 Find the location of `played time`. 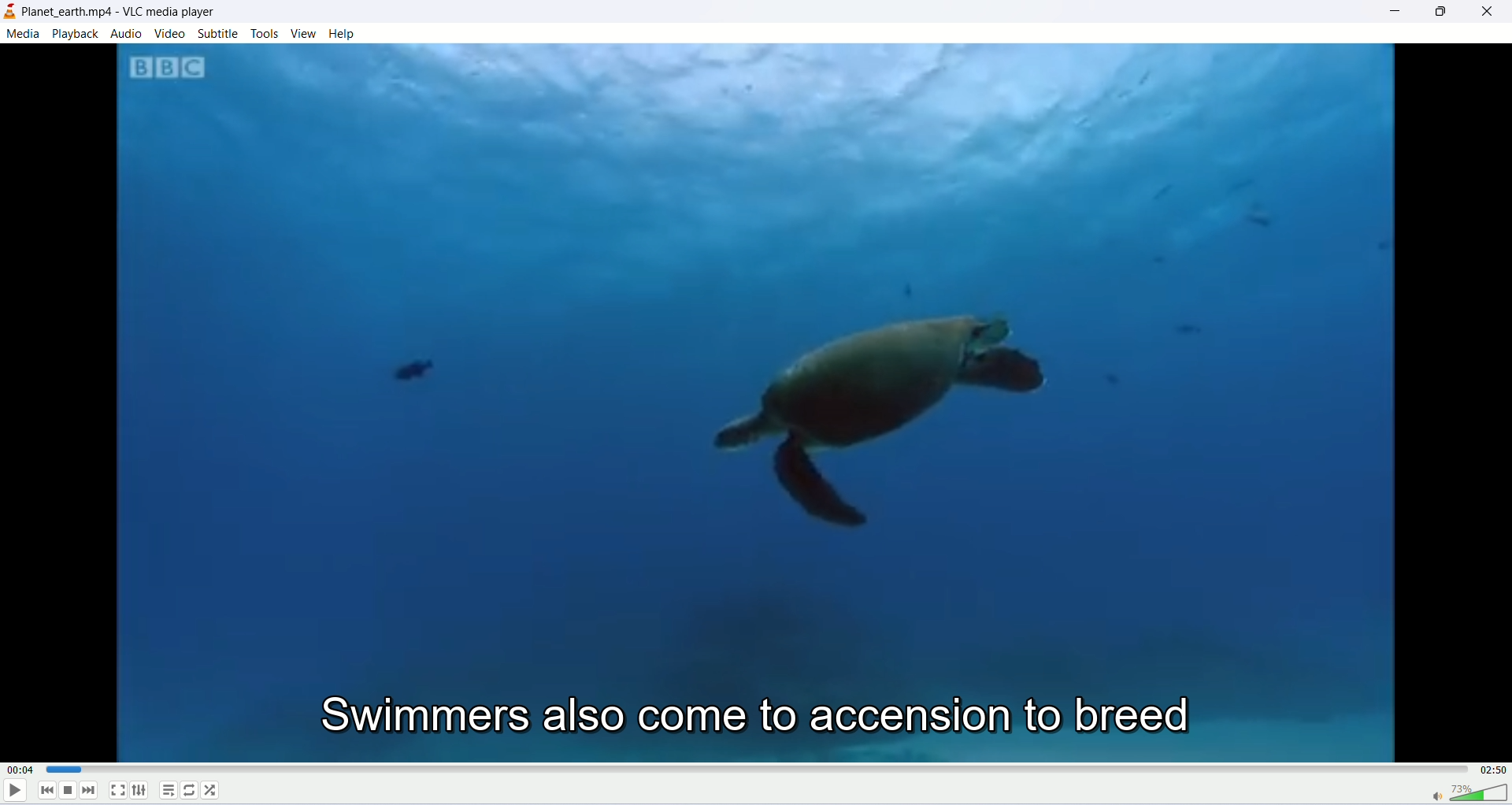

played time is located at coordinates (20, 771).